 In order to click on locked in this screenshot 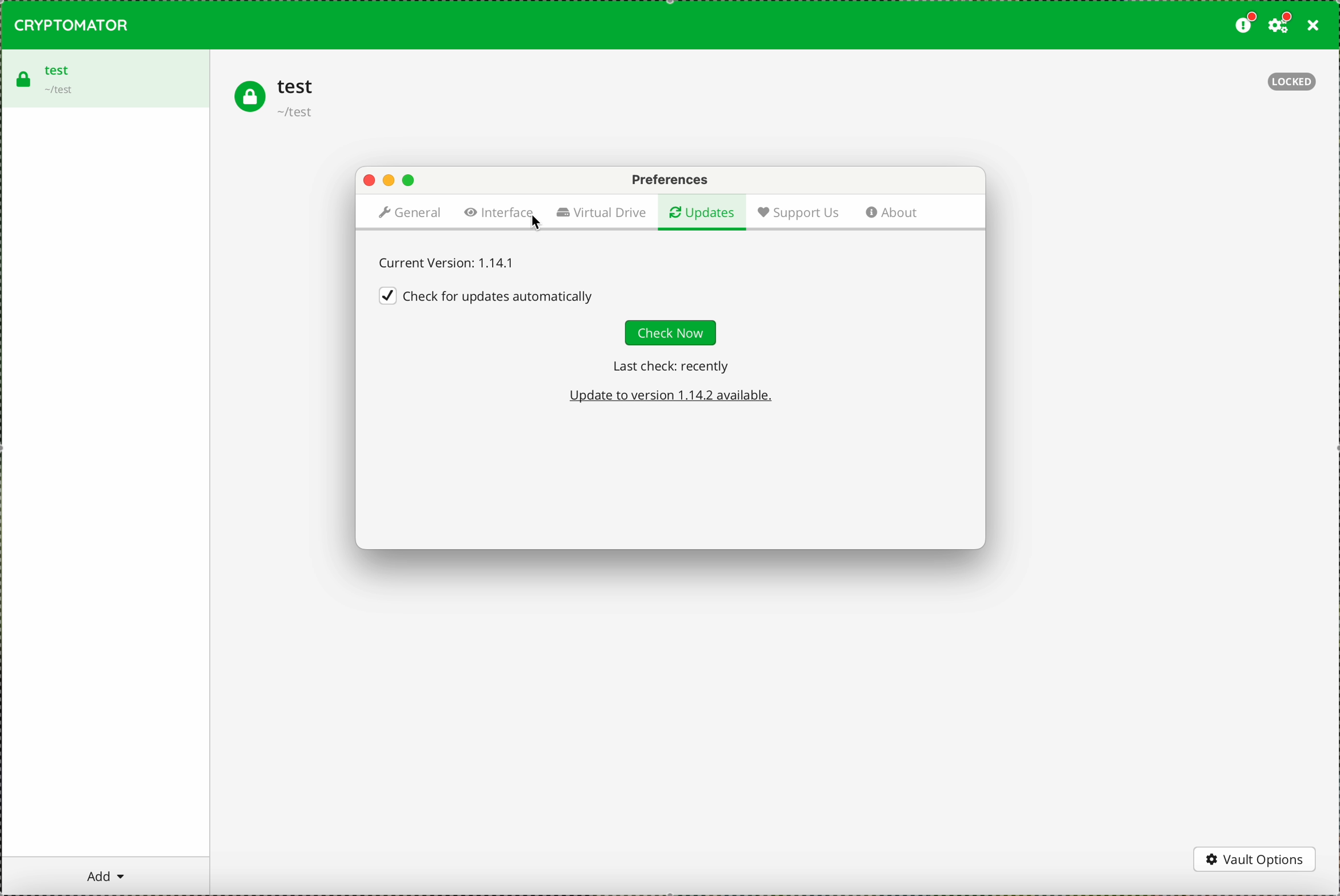, I will do `click(1292, 82)`.